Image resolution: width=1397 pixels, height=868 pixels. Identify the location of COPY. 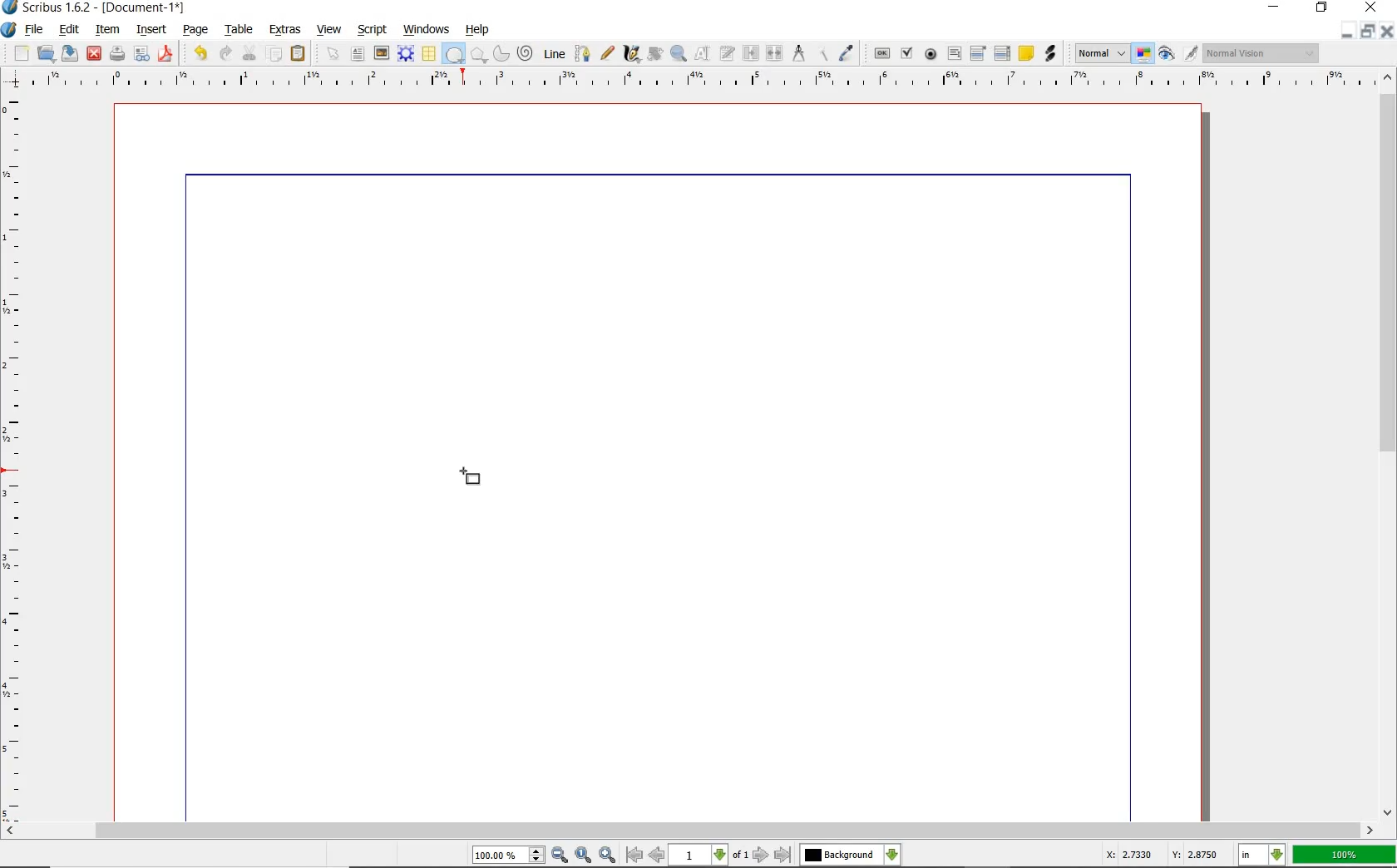
(276, 54).